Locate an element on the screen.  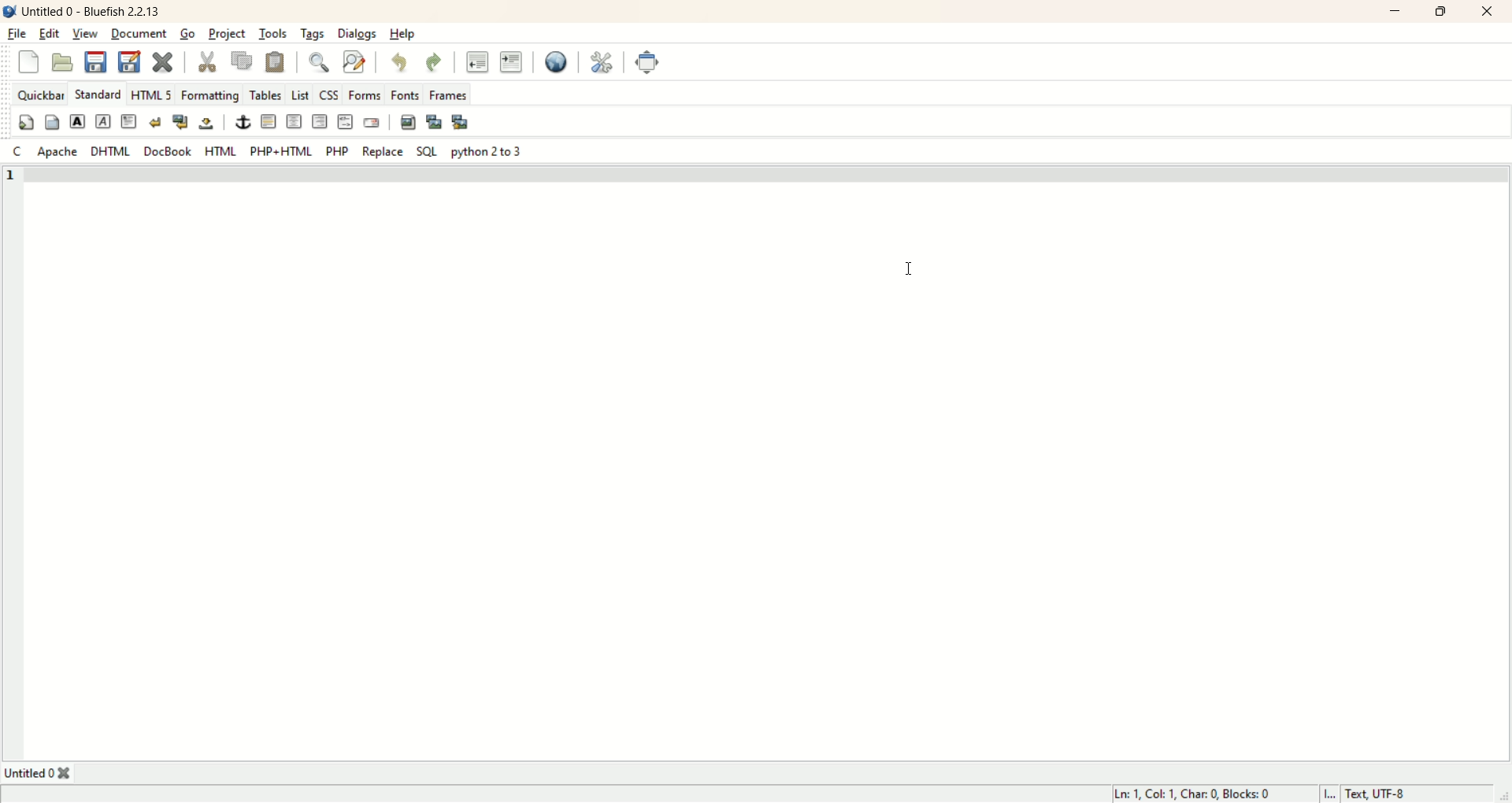
python 2 to 3 is located at coordinates (489, 152).